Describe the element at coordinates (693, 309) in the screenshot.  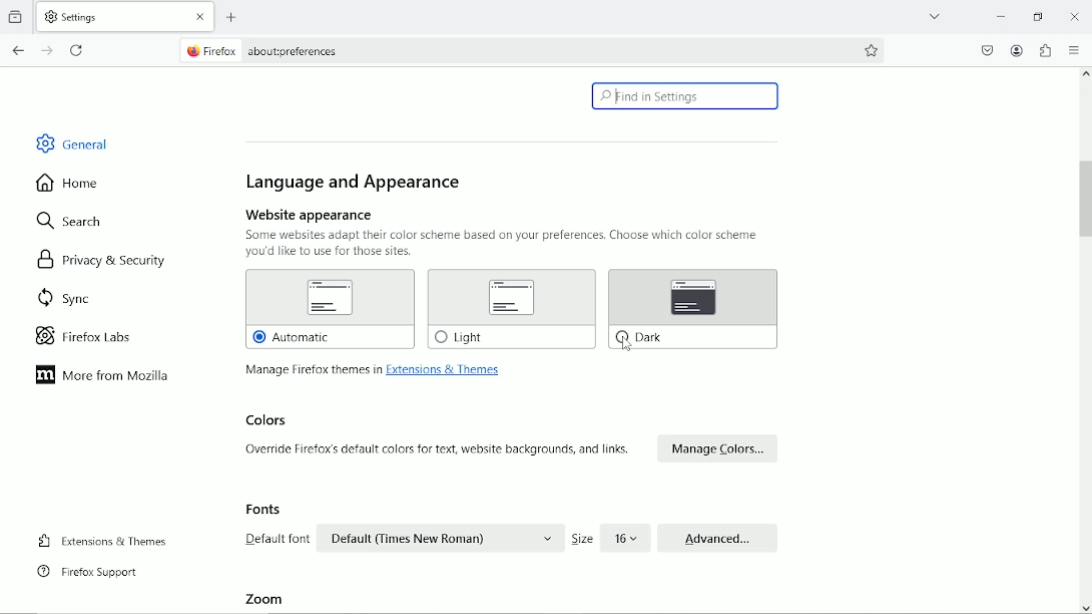
I see `Dark` at that location.